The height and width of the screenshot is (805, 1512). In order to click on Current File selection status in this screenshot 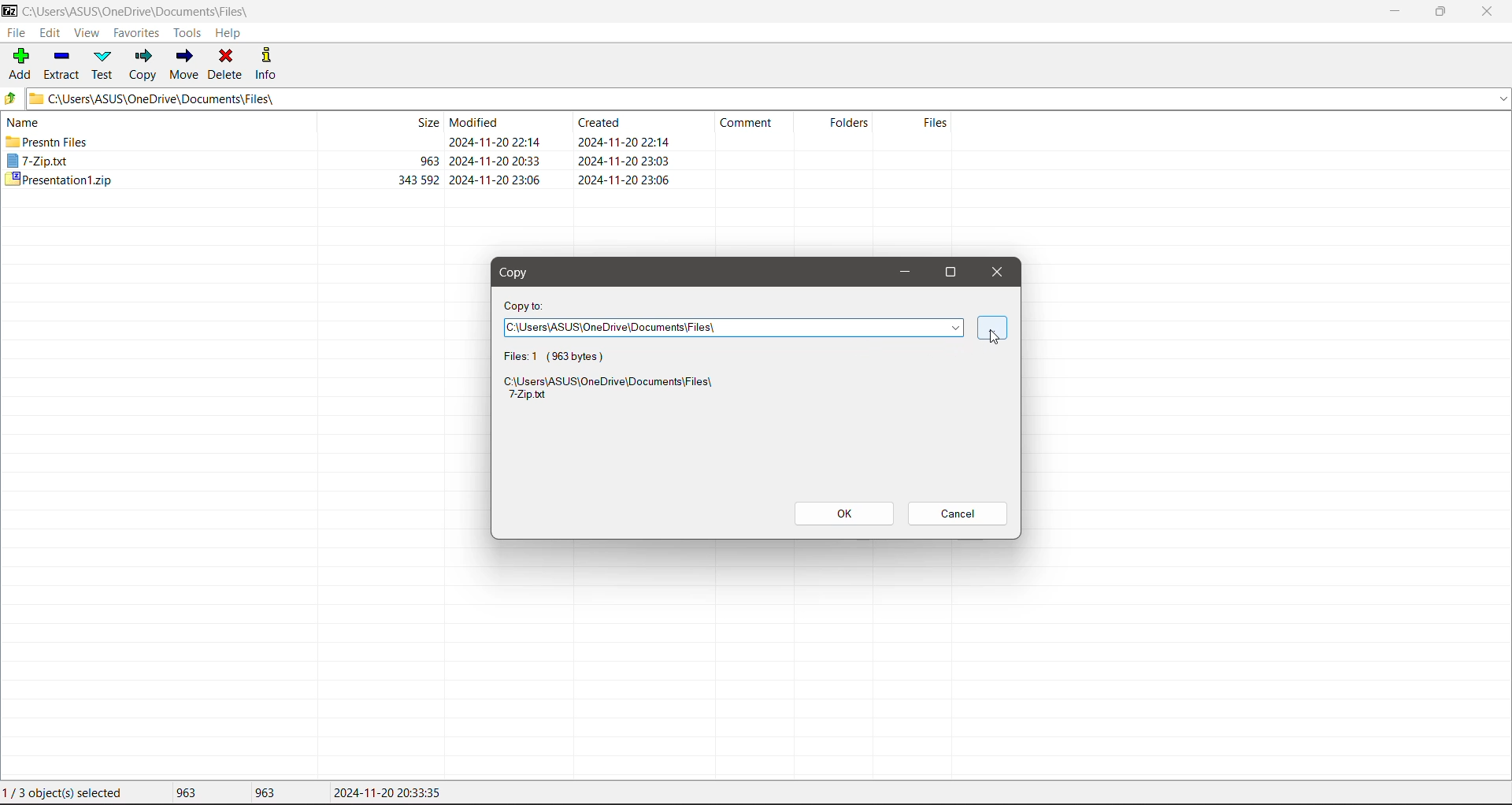, I will do `click(66, 793)`.